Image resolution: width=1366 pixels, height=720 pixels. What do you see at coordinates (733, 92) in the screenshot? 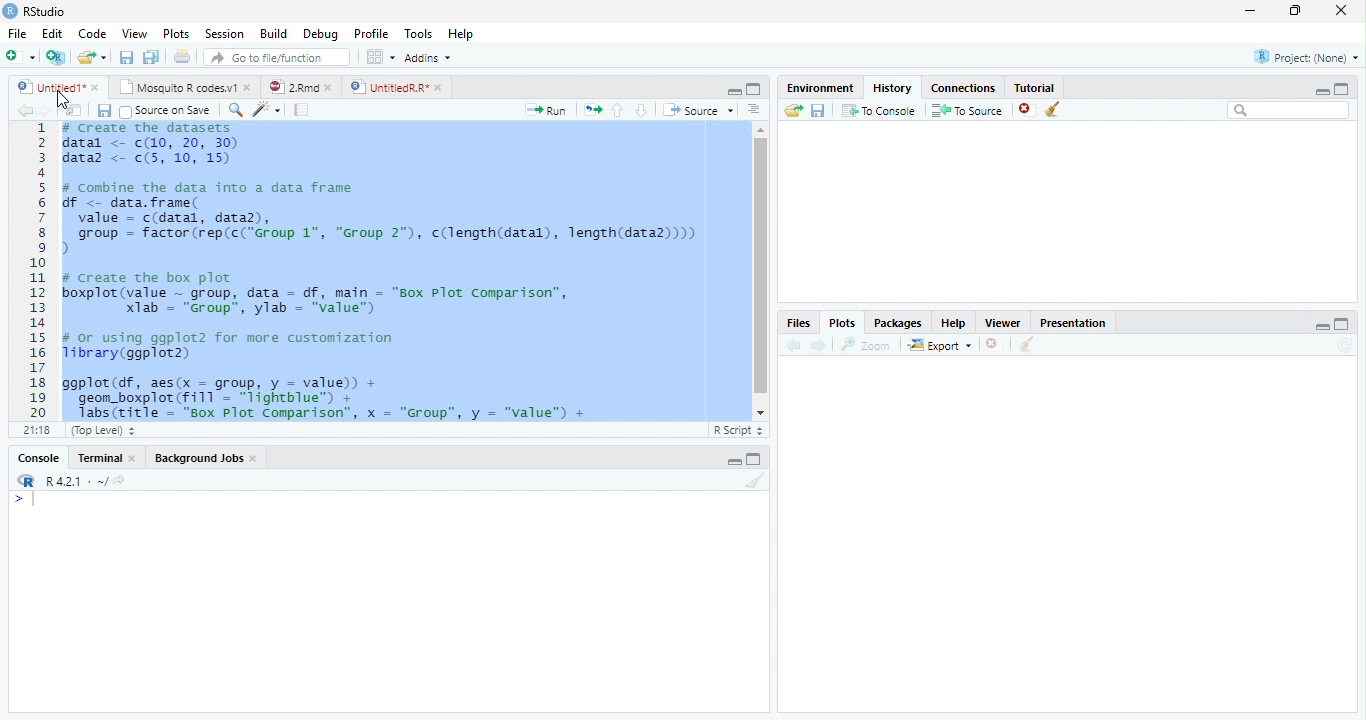
I see `Minimize` at bounding box center [733, 92].